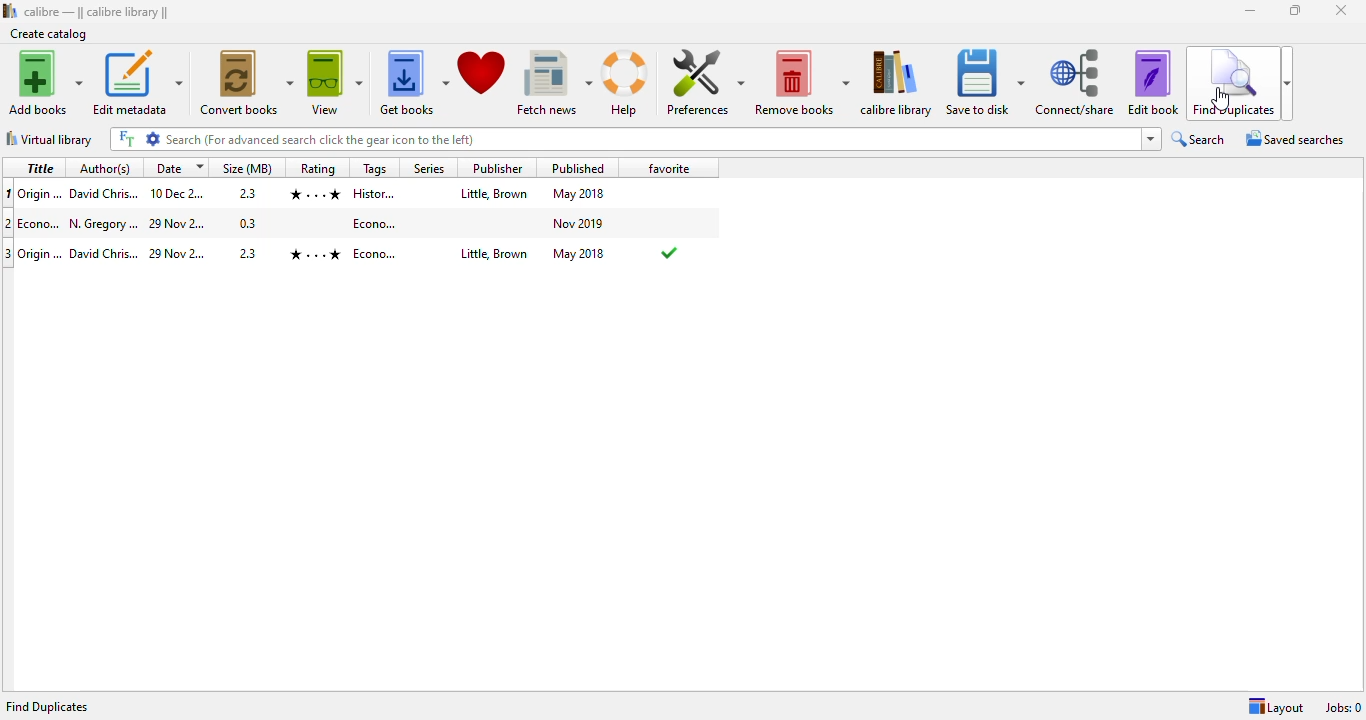 The width and height of the screenshot is (1366, 720). What do you see at coordinates (318, 168) in the screenshot?
I see `rating` at bounding box center [318, 168].